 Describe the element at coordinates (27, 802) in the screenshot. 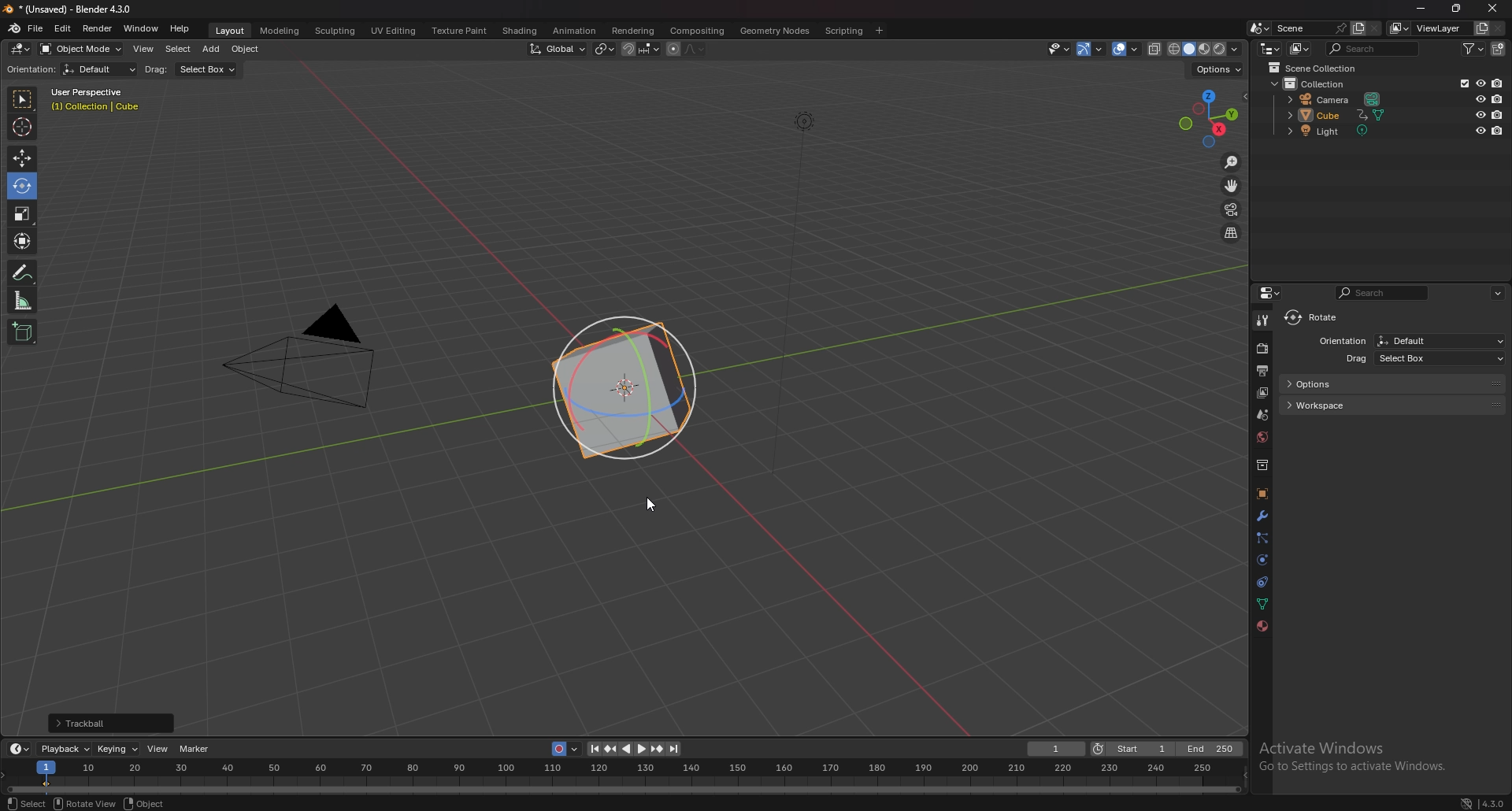

I see `Select` at that location.